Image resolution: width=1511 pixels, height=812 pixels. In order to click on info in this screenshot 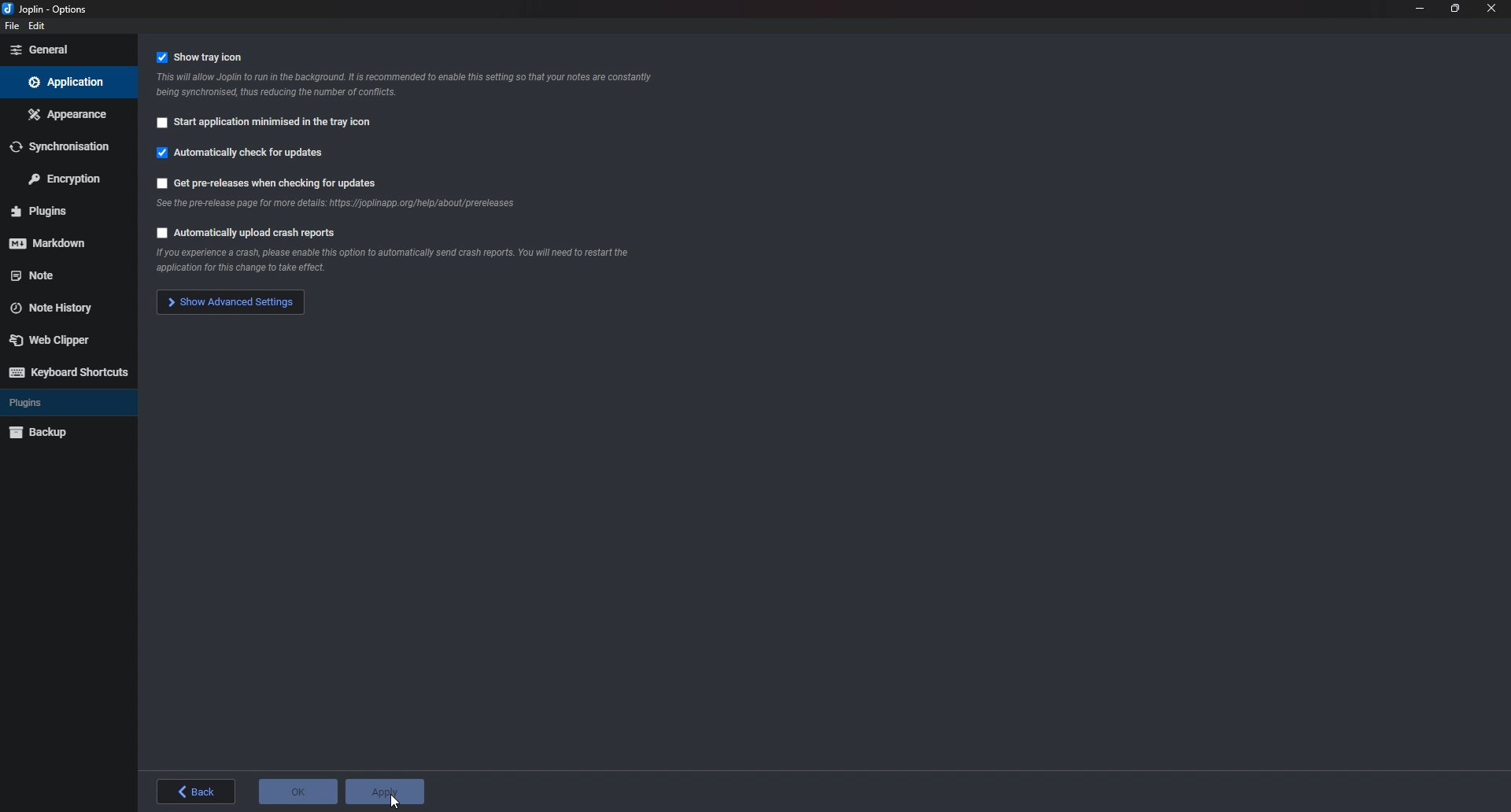, I will do `click(412, 85)`.